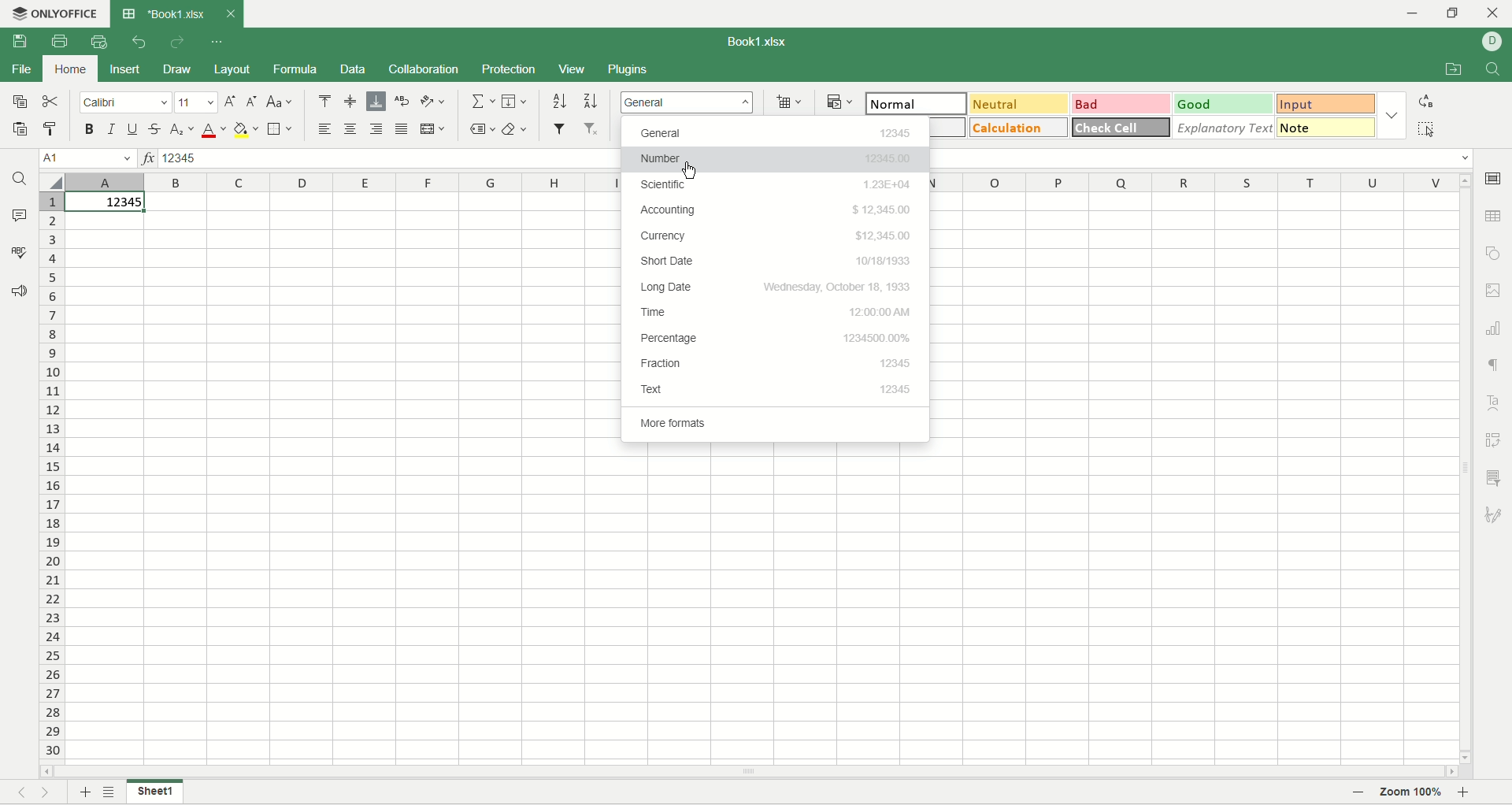  I want to click on plugins, so click(629, 69).